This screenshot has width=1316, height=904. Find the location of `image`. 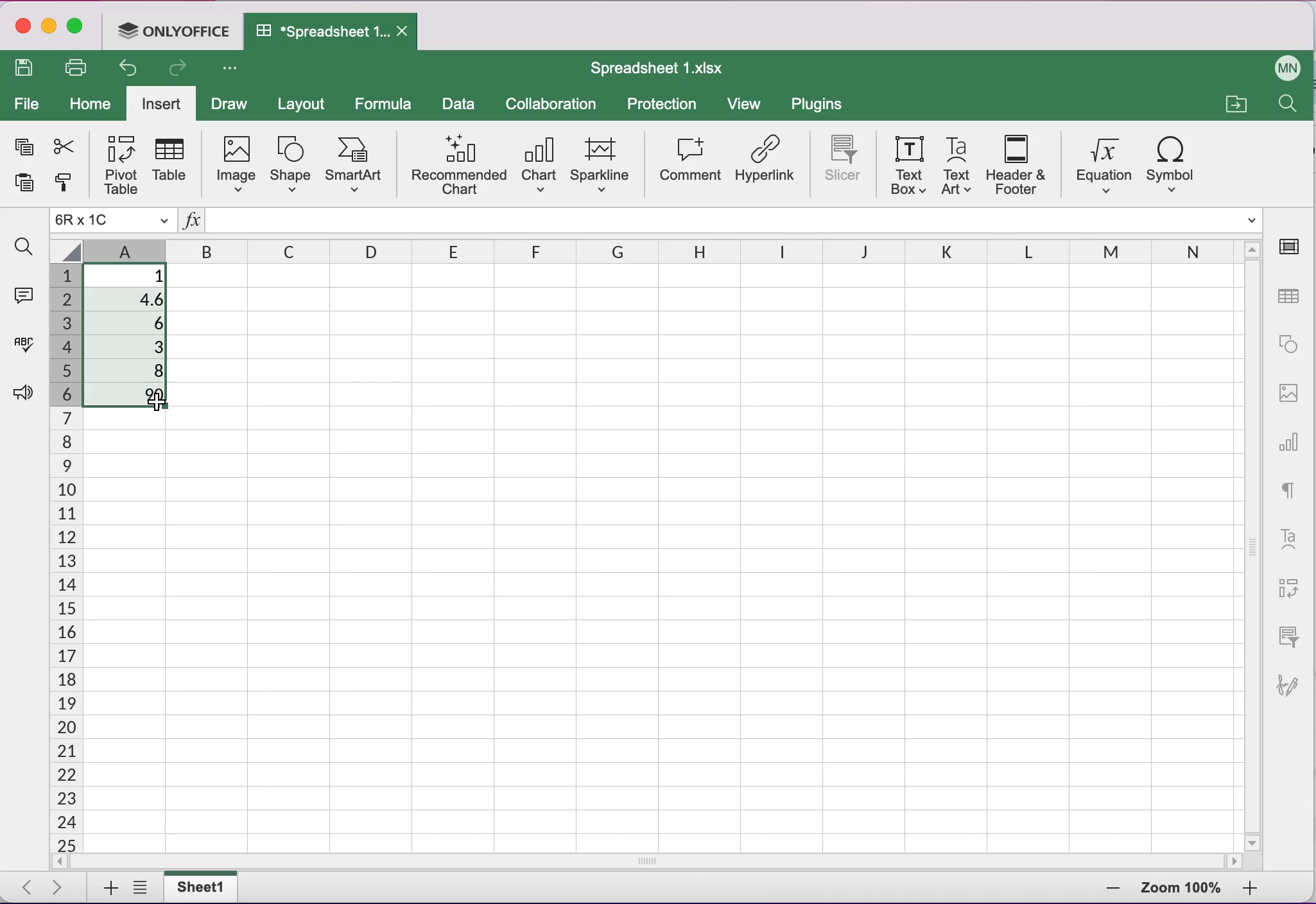

image is located at coordinates (1290, 392).